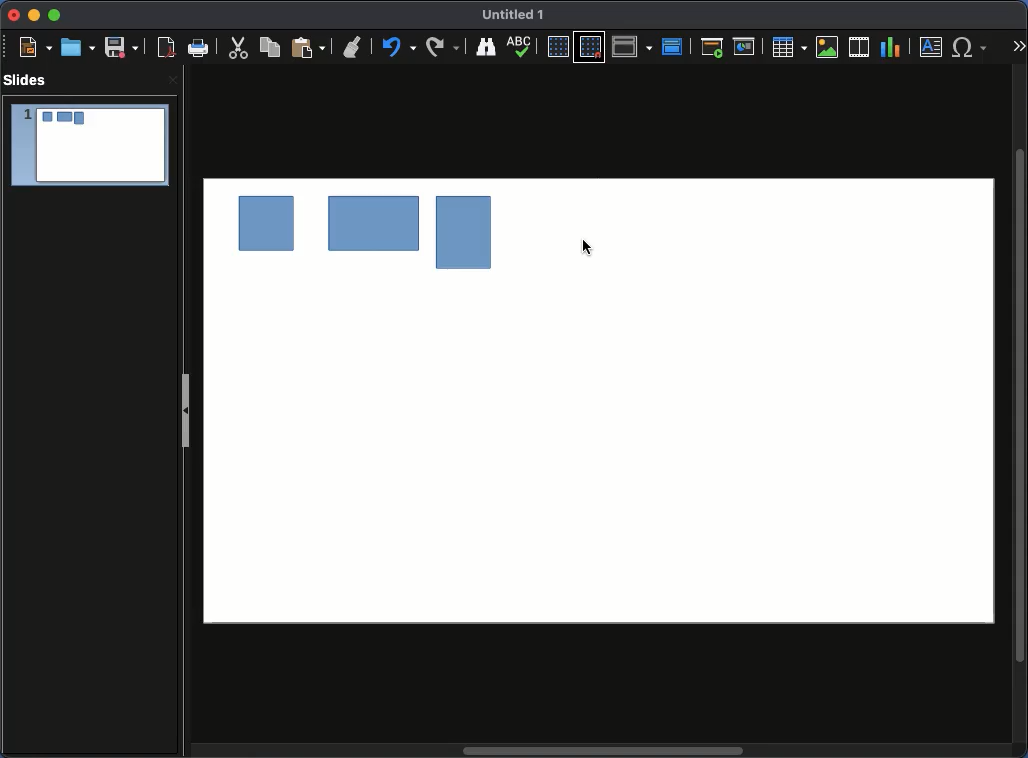  Describe the element at coordinates (352, 43) in the screenshot. I see `Undo` at that location.